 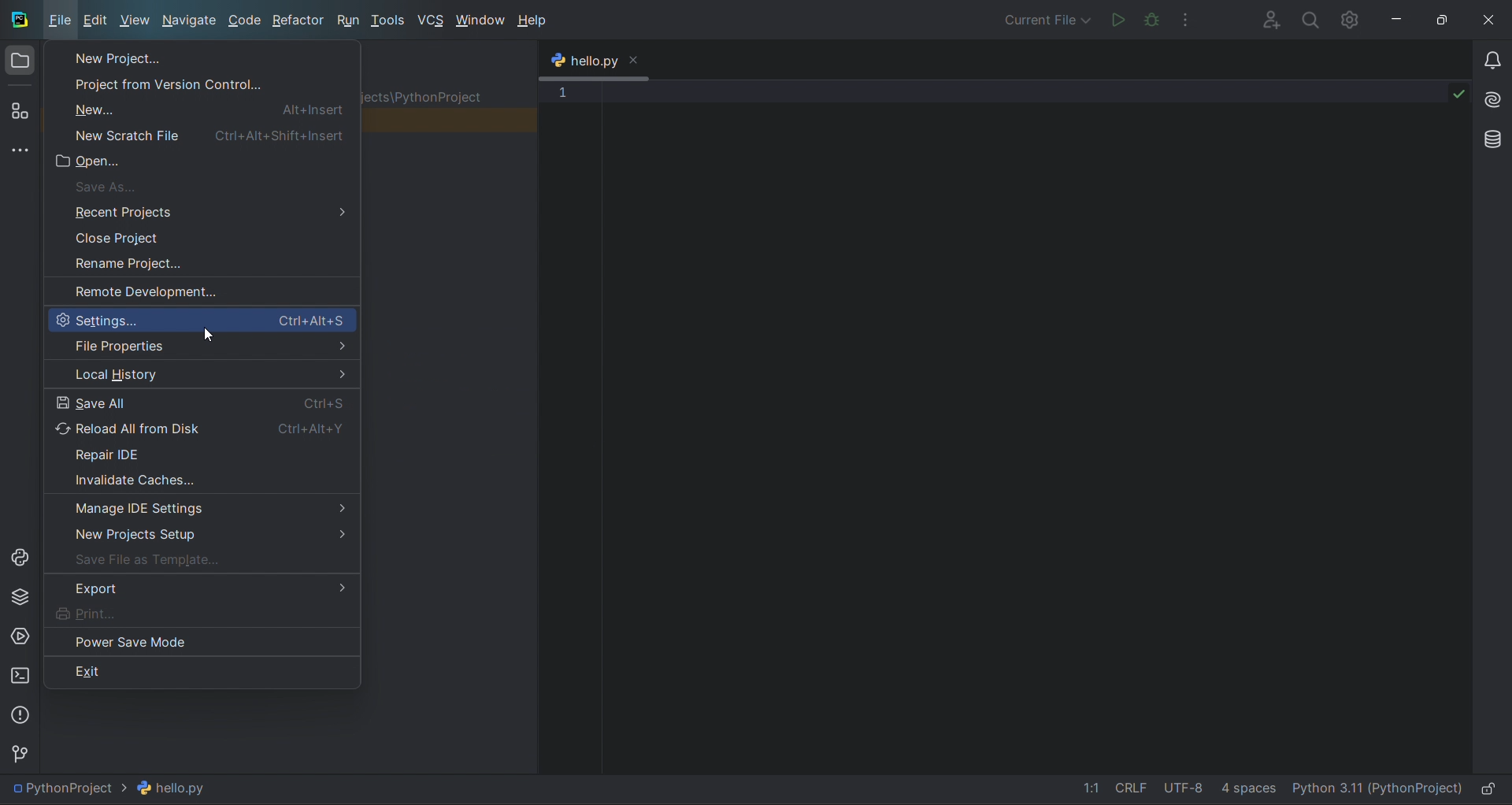 I want to click on refactor, so click(x=292, y=22).